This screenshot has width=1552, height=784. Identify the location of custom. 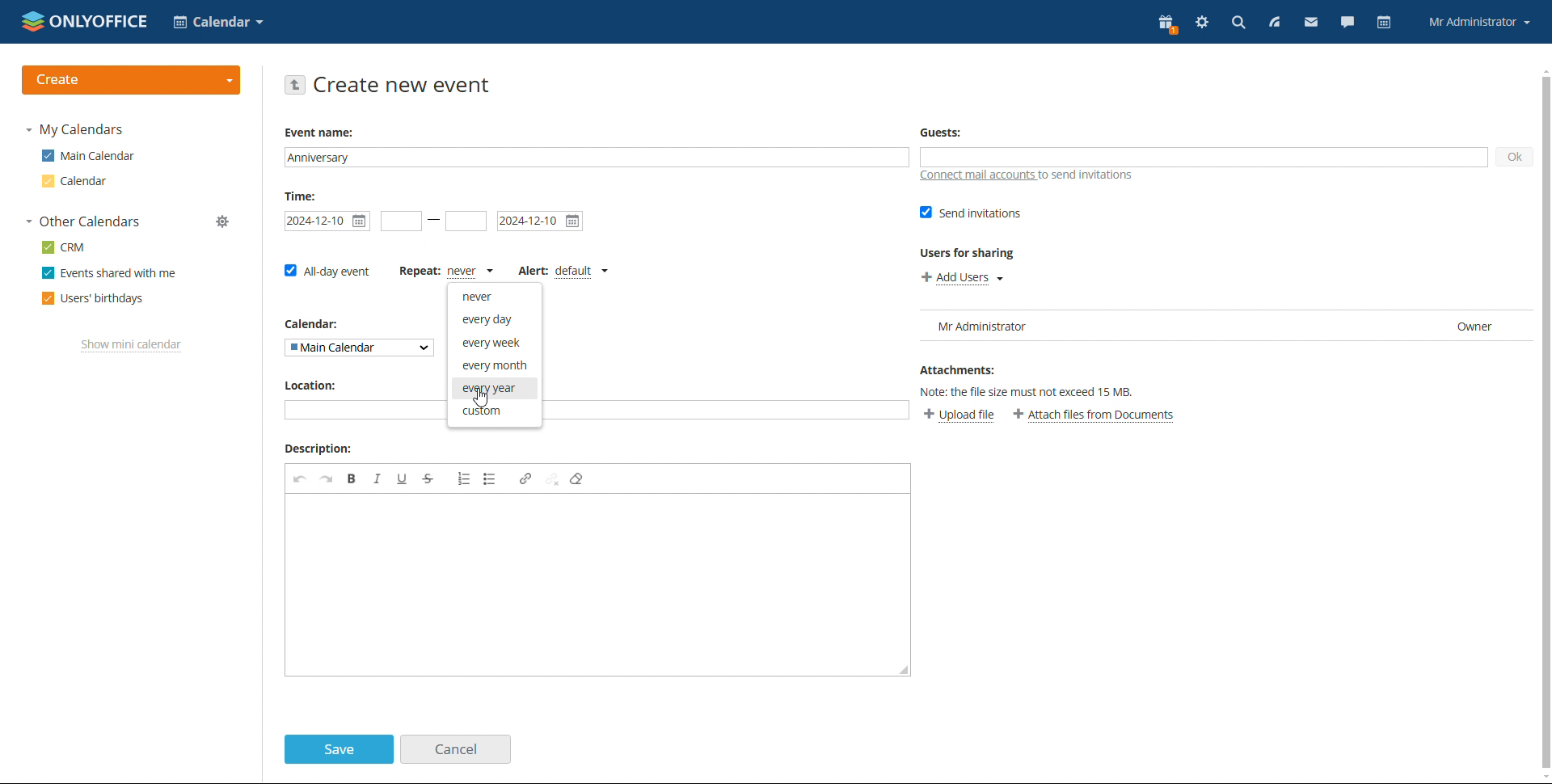
(492, 410).